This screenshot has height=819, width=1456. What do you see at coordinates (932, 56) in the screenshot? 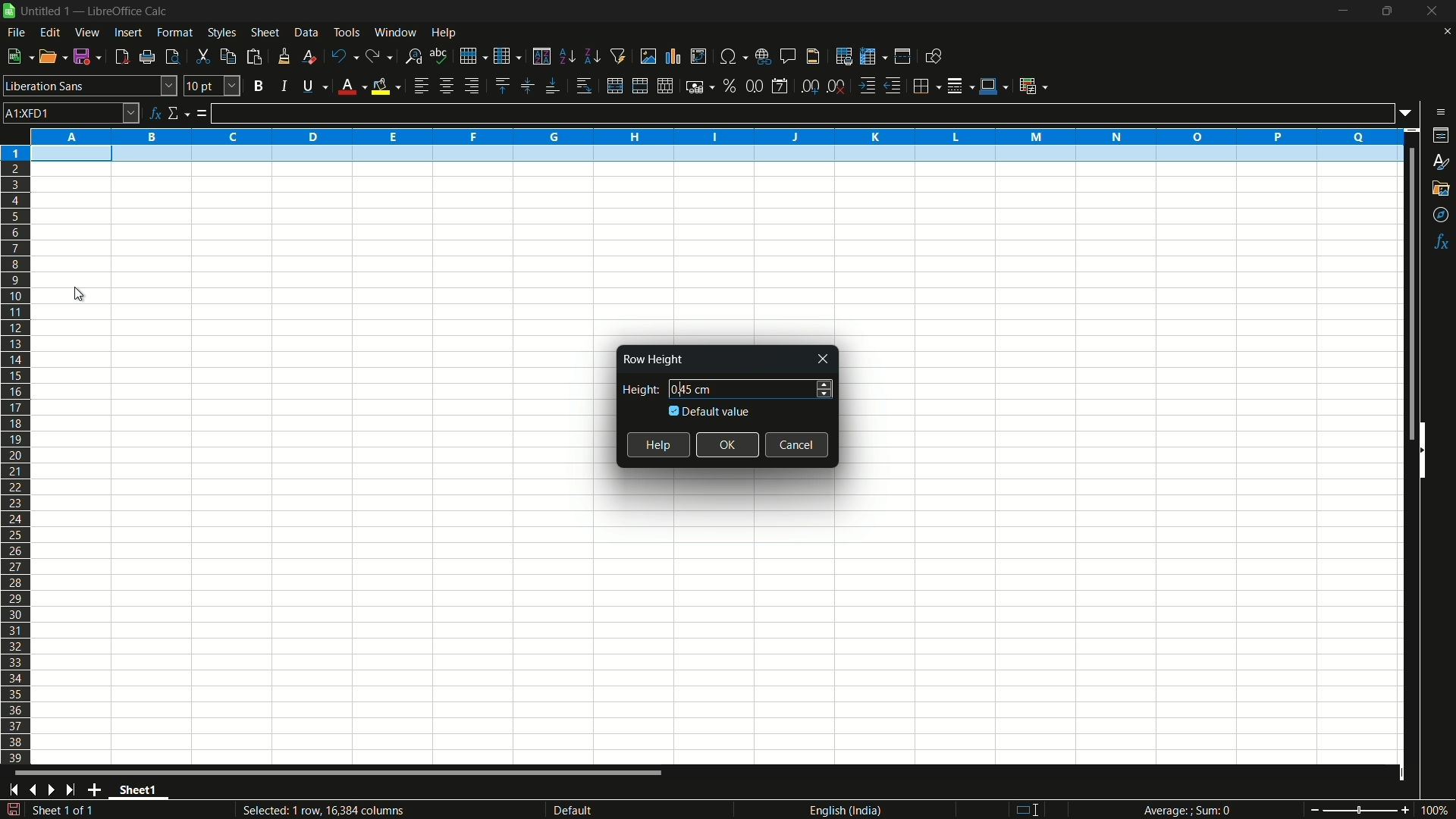
I see `show draw functions` at bounding box center [932, 56].